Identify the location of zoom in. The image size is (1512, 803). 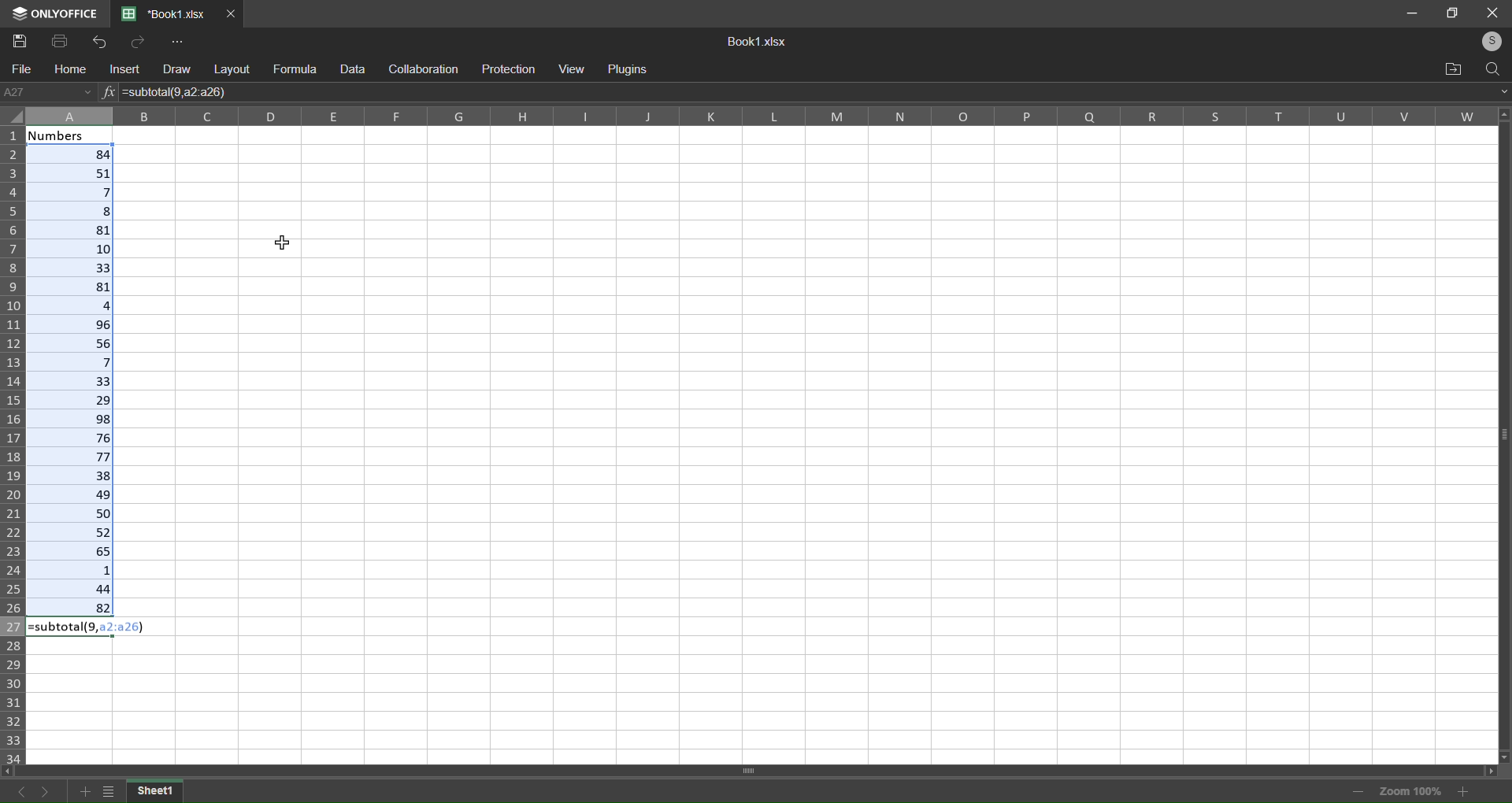
(1461, 790).